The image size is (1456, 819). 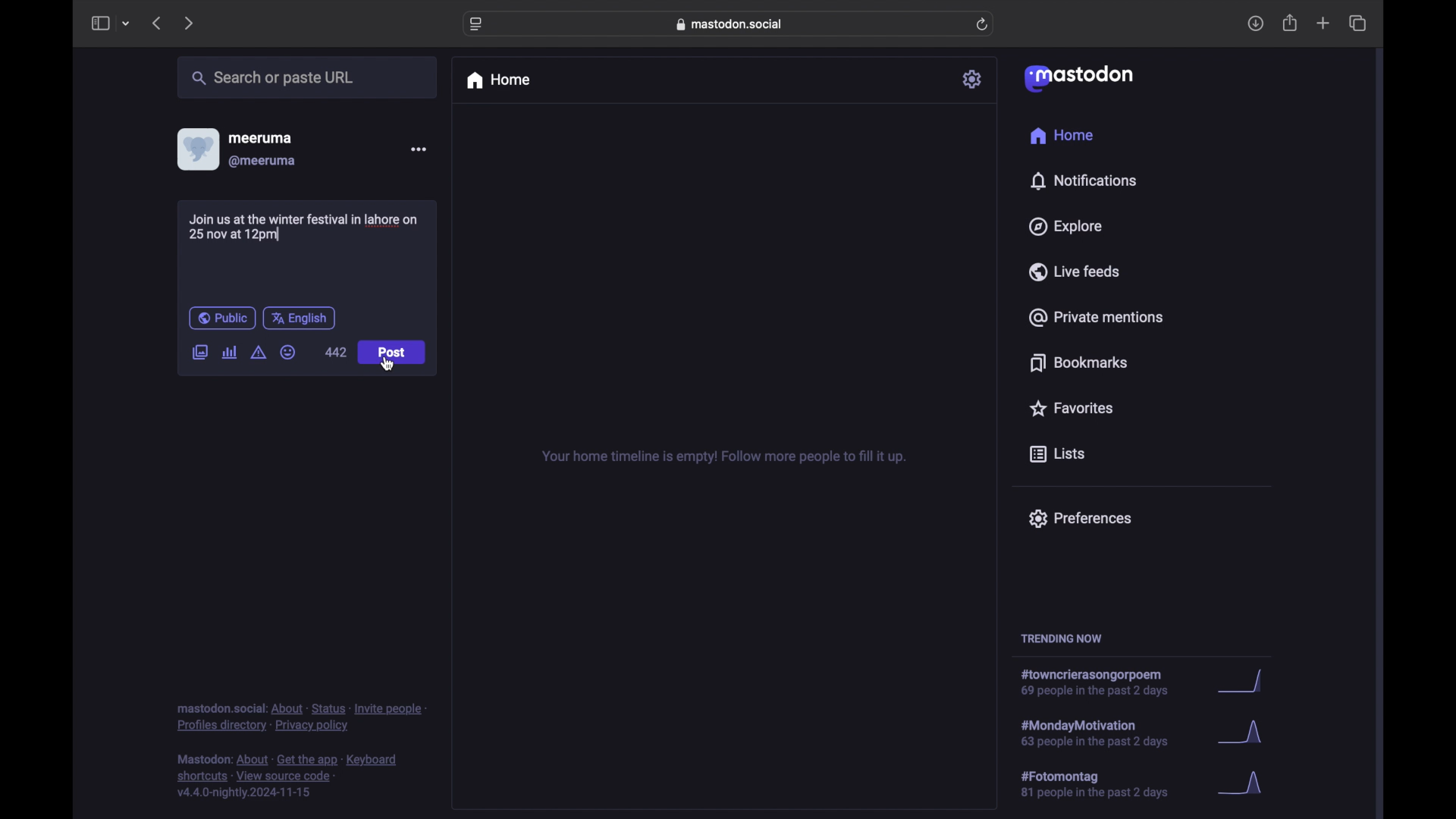 What do you see at coordinates (126, 24) in the screenshot?
I see `tab group picker` at bounding box center [126, 24].